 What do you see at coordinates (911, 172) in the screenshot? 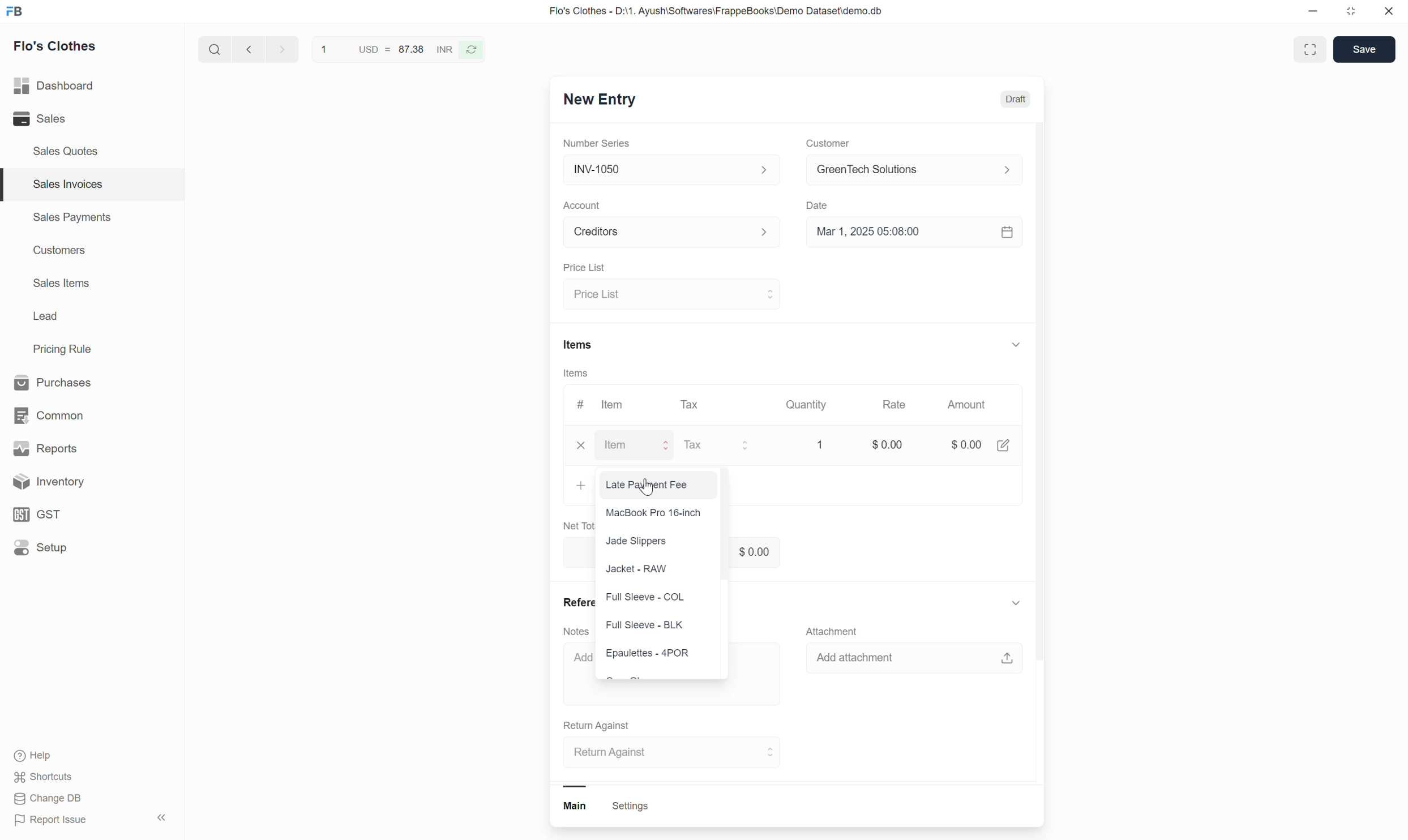
I see `select customer` at bounding box center [911, 172].